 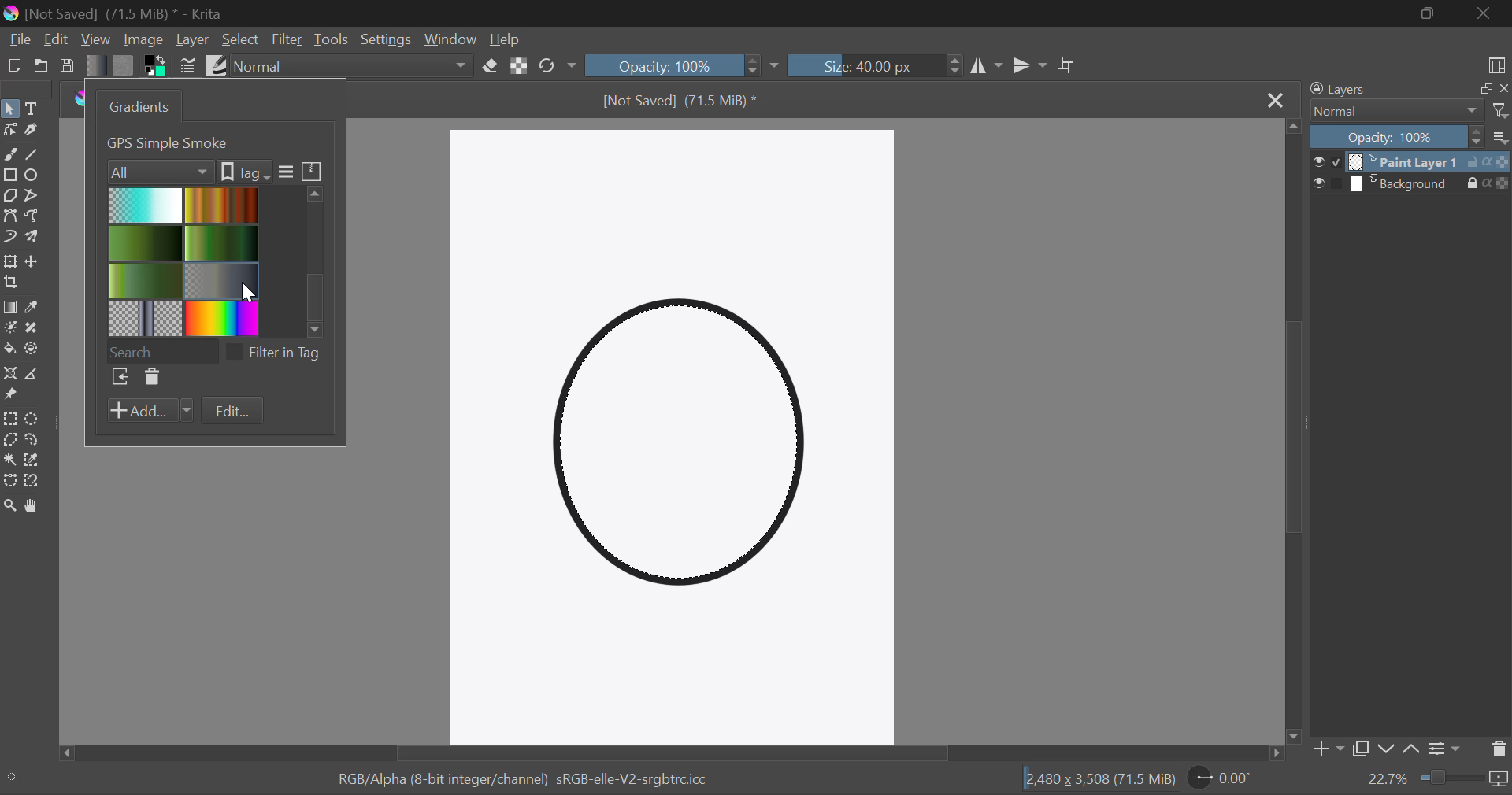 What do you see at coordinates (11, 263) in the screenshot?
I see `Transform Layer` at bounding box center [11, 263].